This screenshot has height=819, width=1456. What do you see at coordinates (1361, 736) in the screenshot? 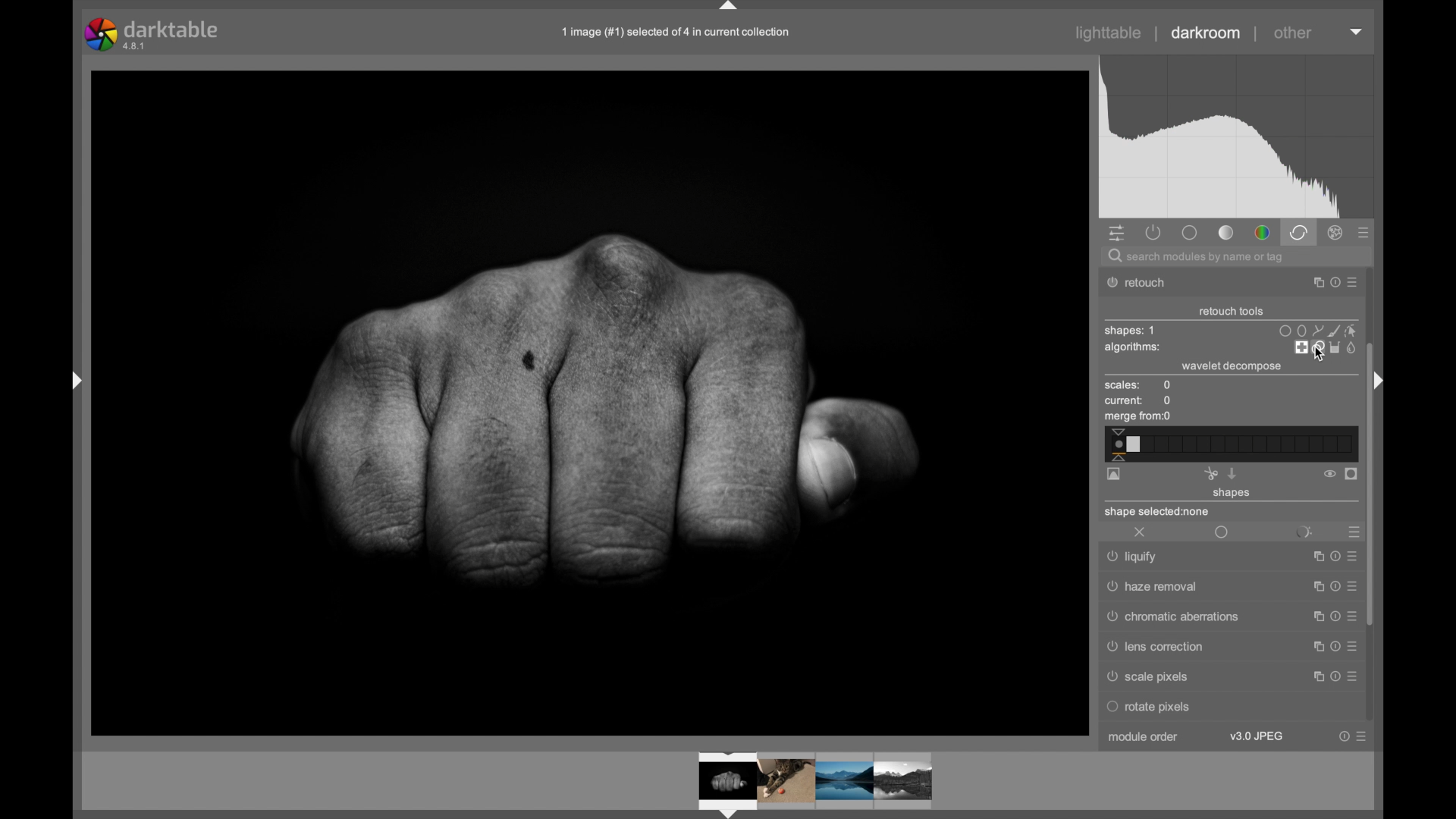
I see `more options` at bounding box center [1361, 736].